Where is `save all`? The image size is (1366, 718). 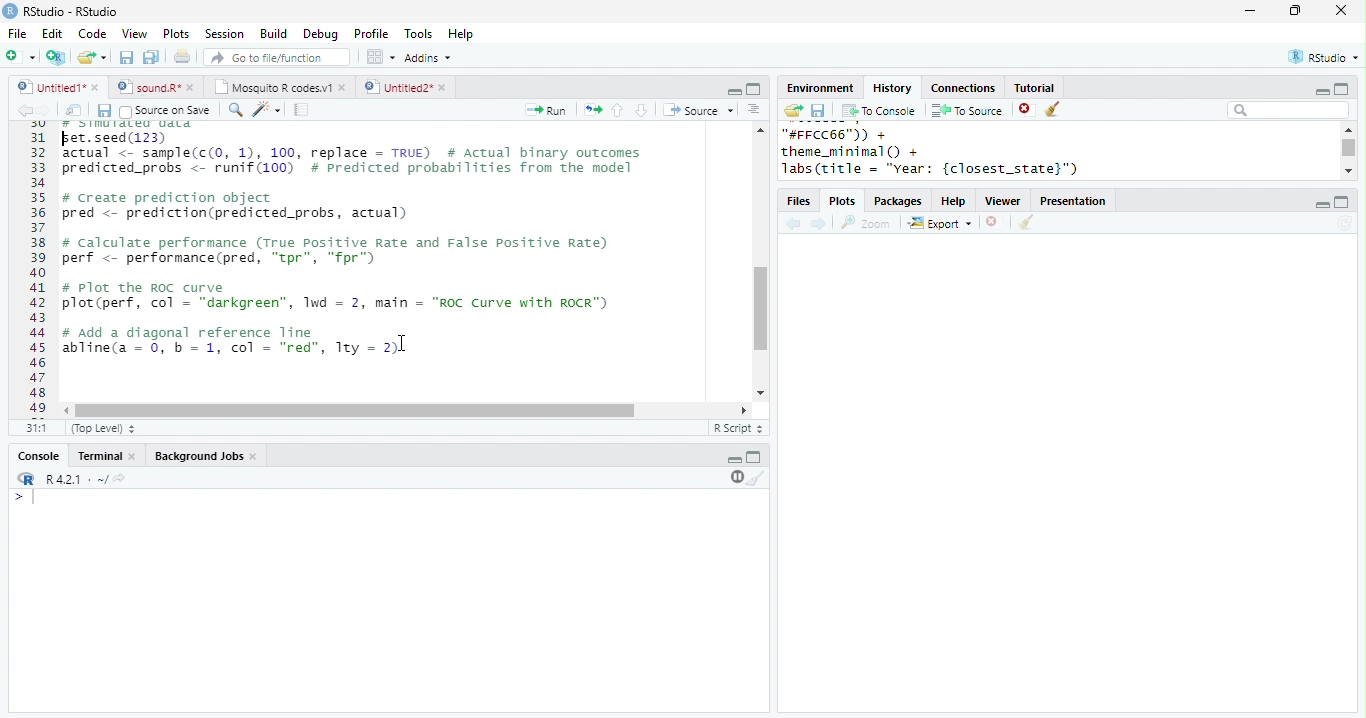
save all is located at coordinates (151, 57).